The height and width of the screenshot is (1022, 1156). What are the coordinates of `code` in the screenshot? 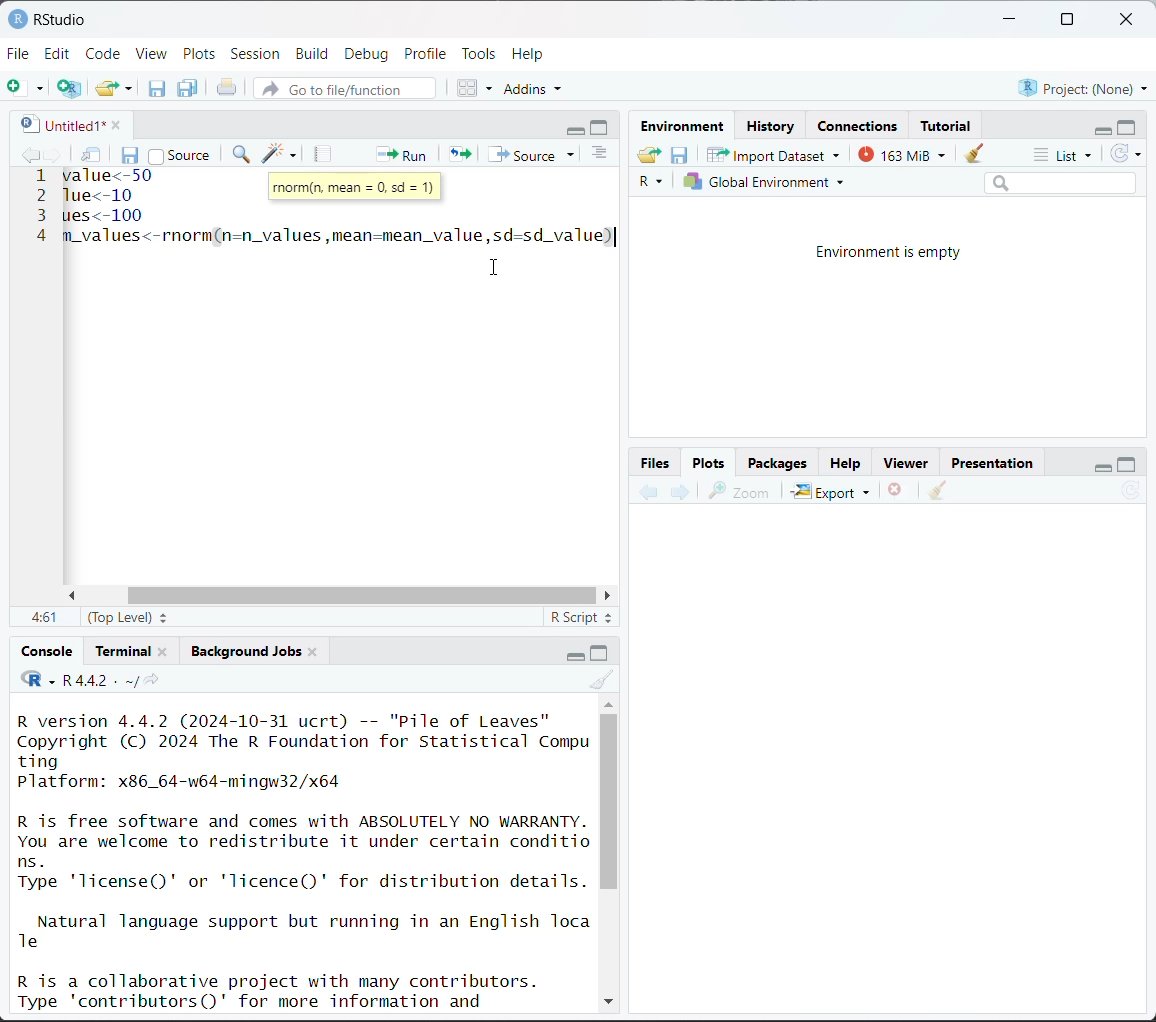 It's located at (37, 680).